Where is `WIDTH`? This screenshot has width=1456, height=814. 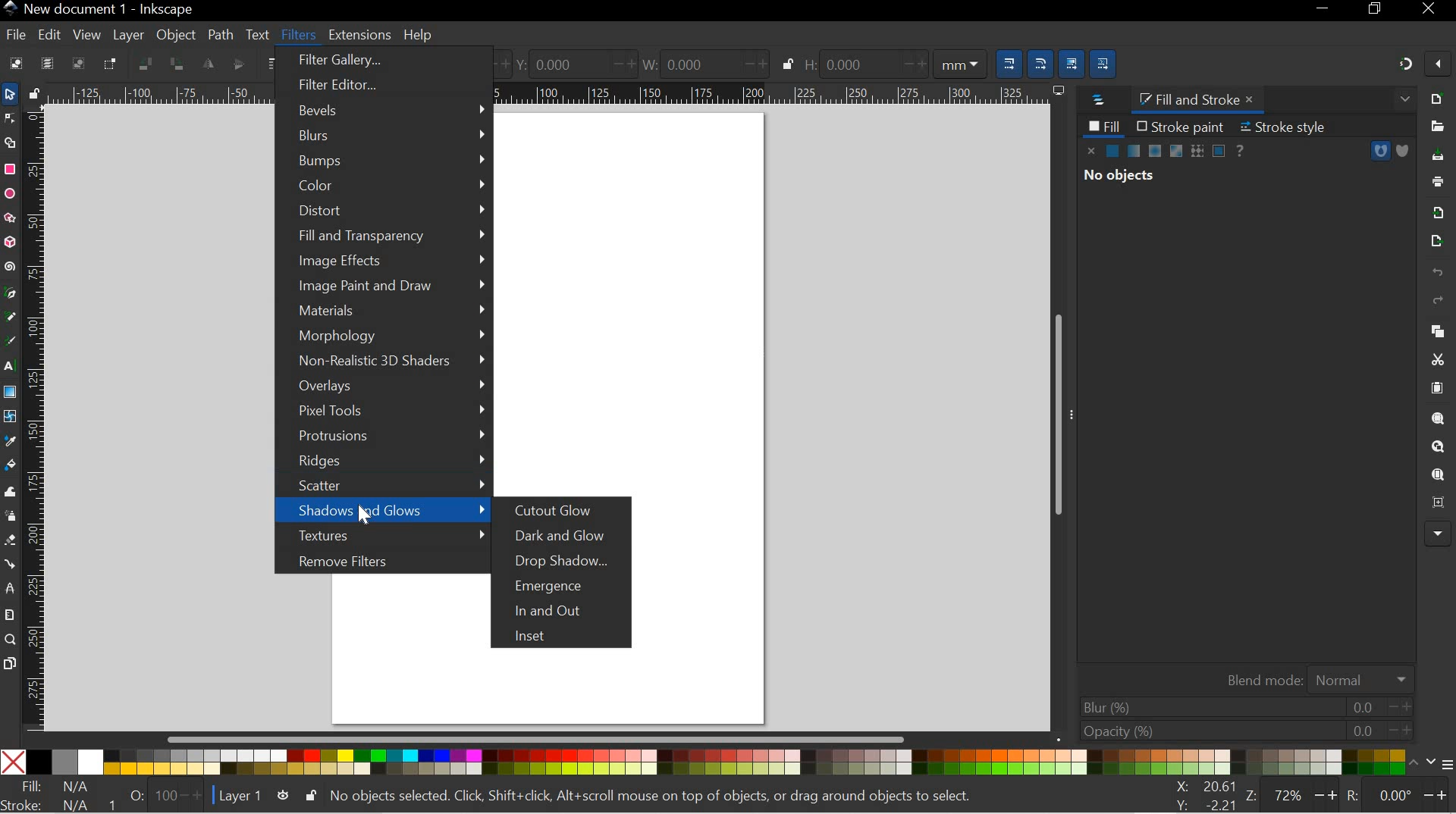 WIDTH is located at coordinates (701, 62).